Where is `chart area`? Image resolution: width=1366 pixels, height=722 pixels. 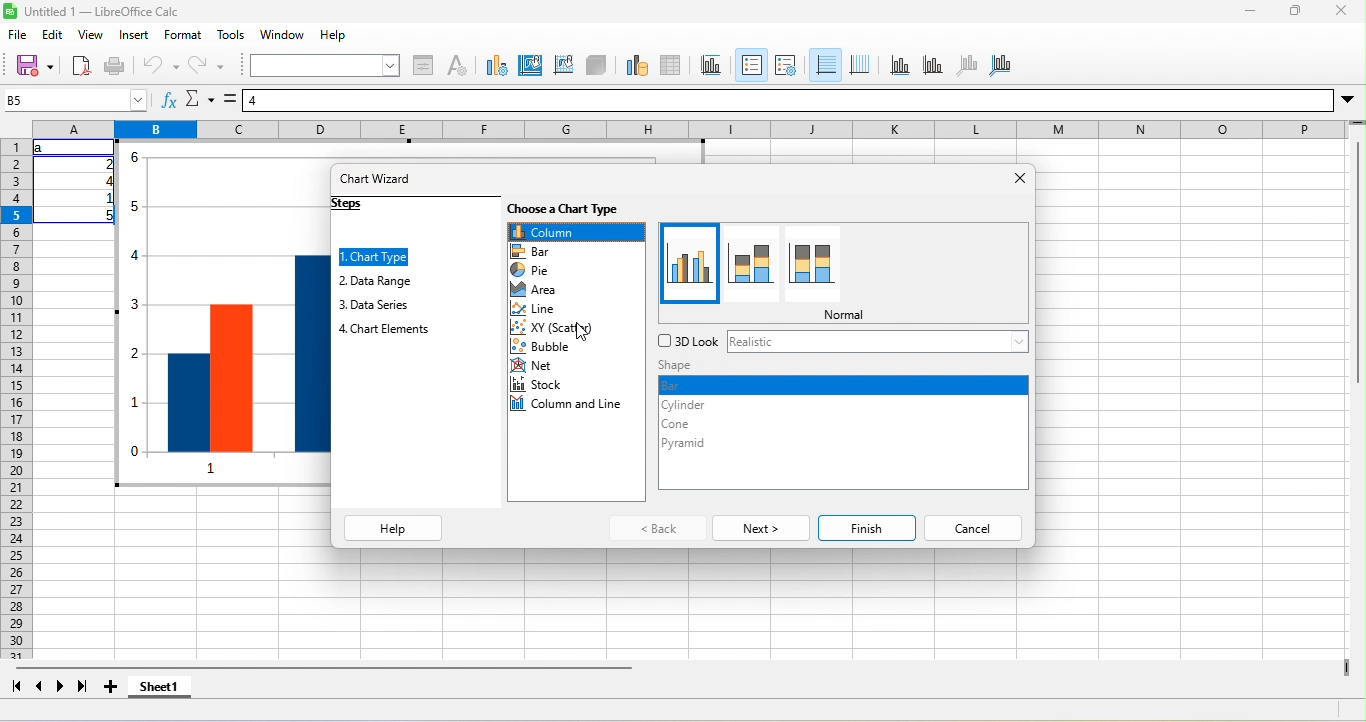 chart area is located at coordinates (530, 67).